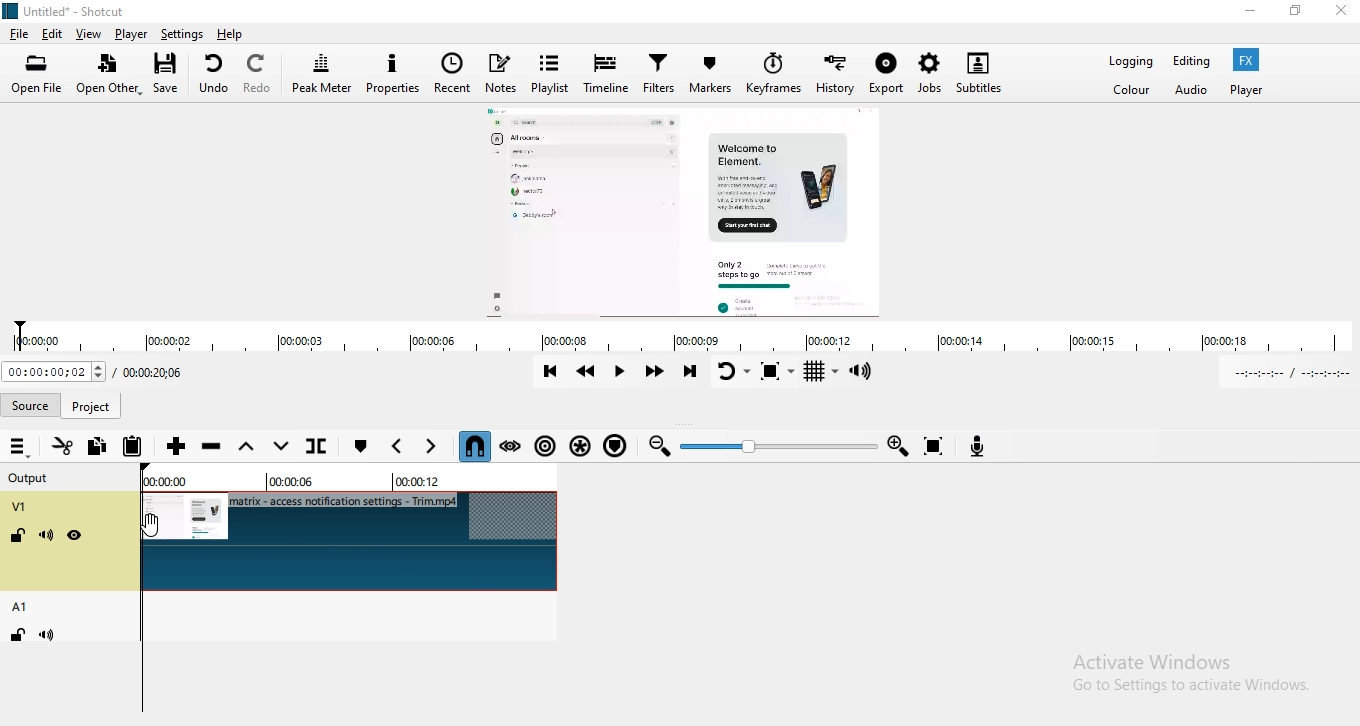  What do you see at coordinates (173, 445) in the screenshot?
I see `Append` at bounding box center [173, 445].